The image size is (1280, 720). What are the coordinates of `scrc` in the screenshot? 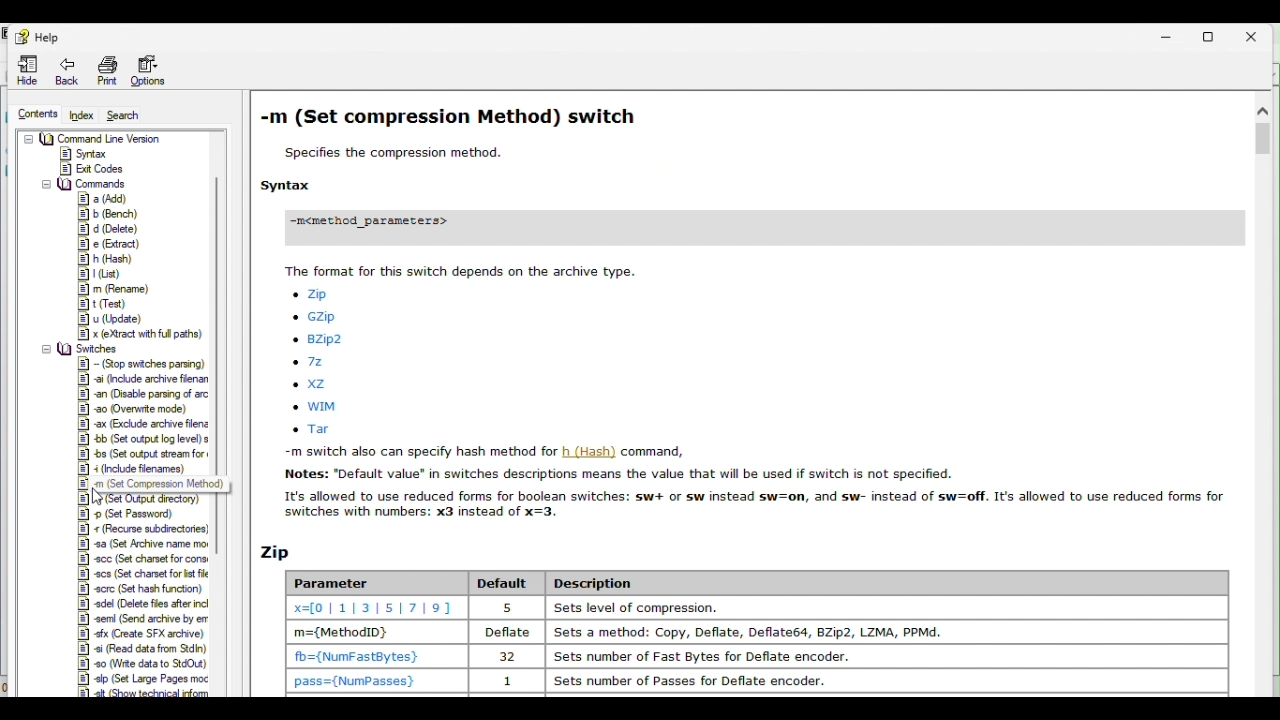 It's located at (140, 589).